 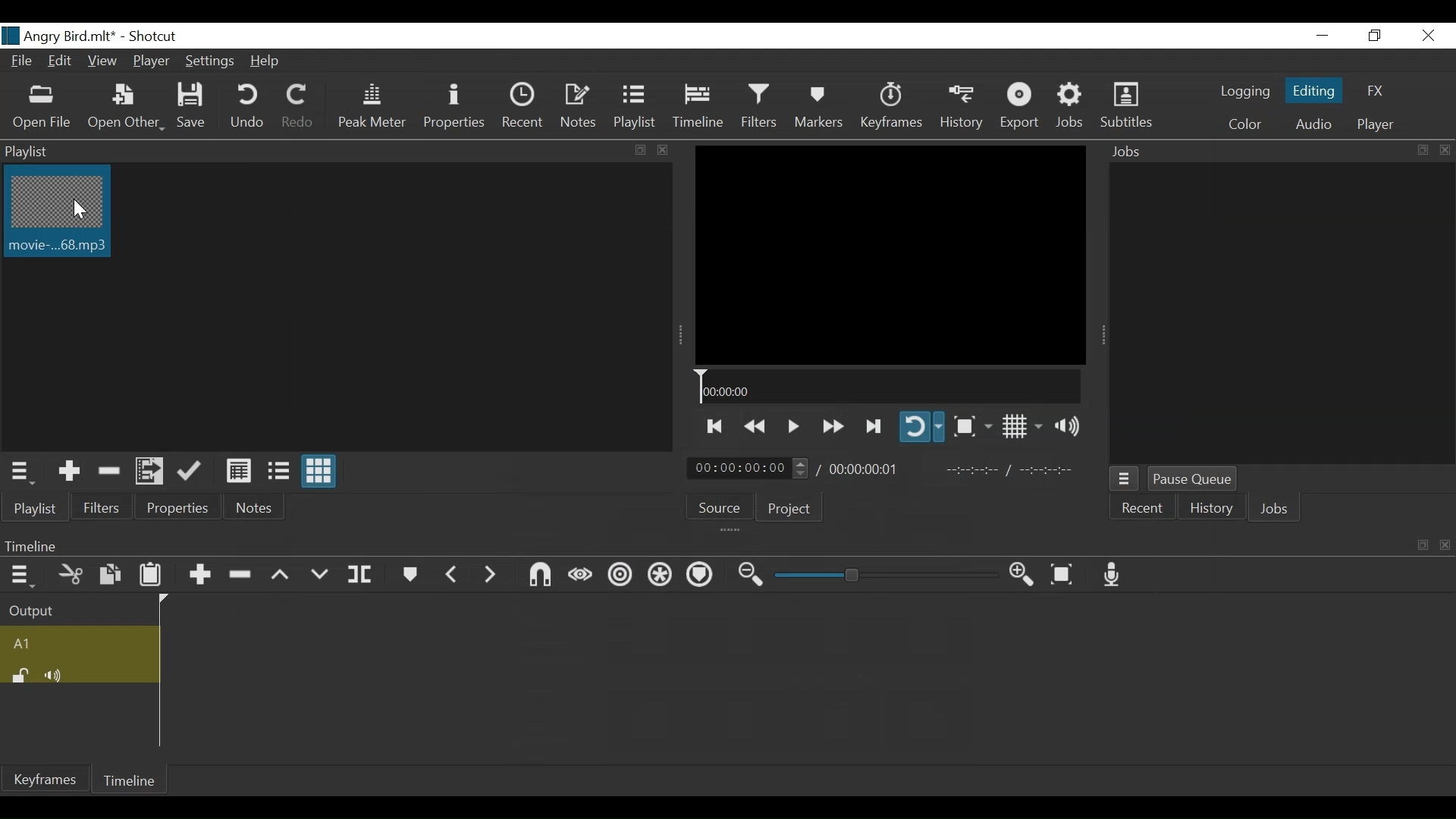 I want to click on Filters, so click(x=99, y=507).